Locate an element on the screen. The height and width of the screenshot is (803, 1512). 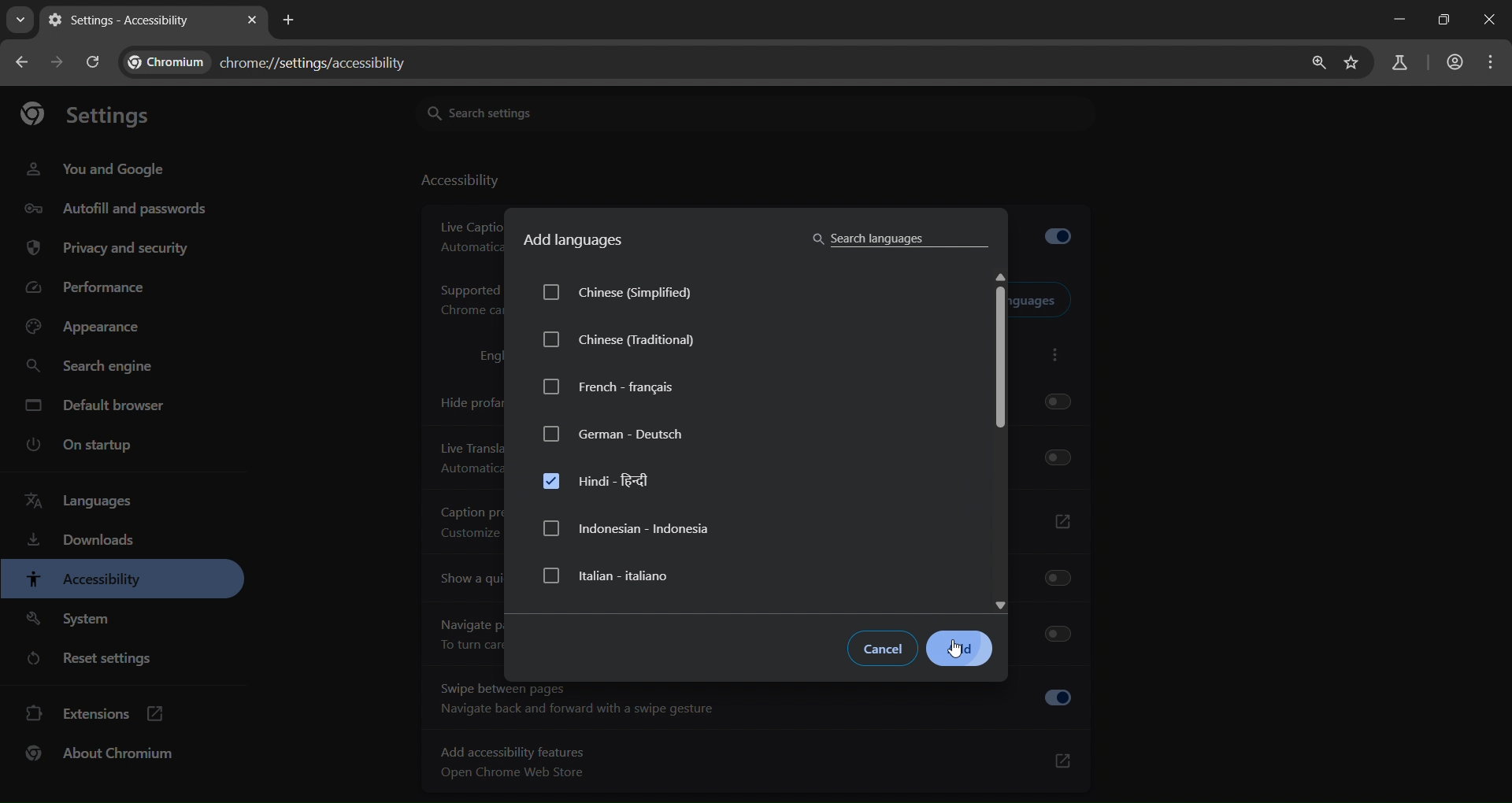
scroll up is located at coordinates (1001, 274).